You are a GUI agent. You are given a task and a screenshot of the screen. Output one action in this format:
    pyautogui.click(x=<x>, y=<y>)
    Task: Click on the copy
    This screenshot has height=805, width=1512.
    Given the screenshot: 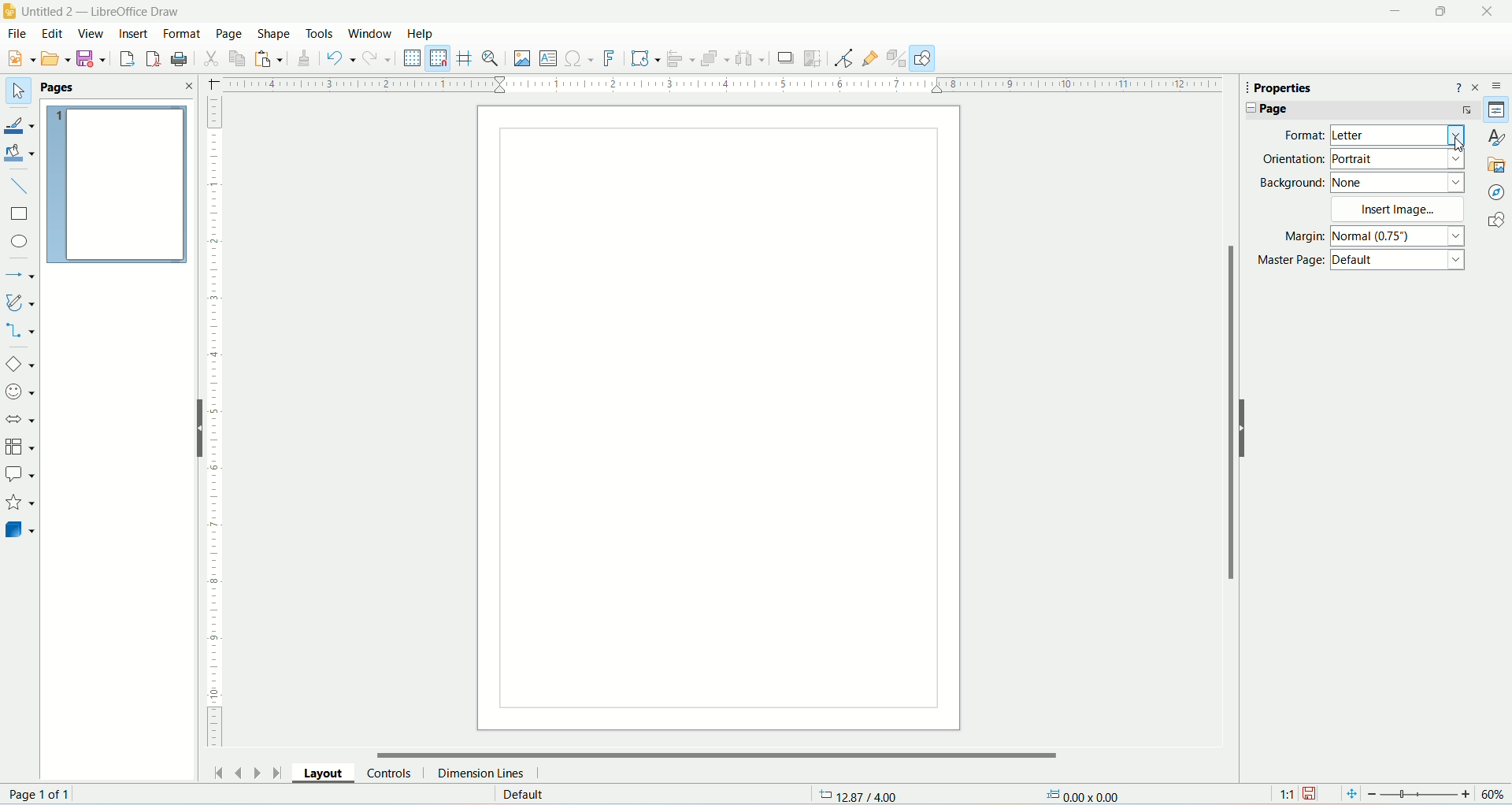 What is the action you would take?
    pyautogui.click(x=239, y=59)
    